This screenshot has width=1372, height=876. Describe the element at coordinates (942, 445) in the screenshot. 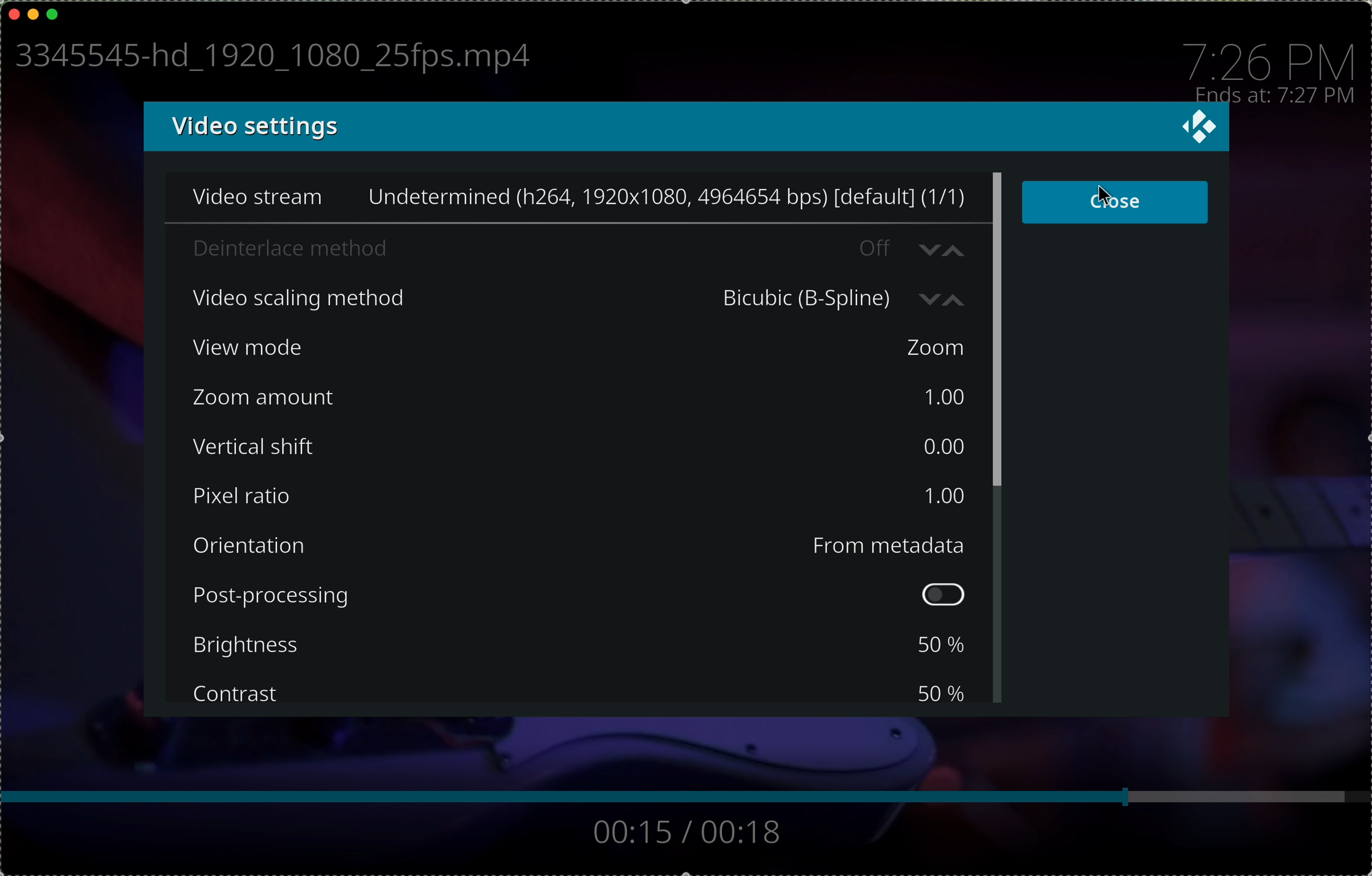

I see `0.00` at that location.